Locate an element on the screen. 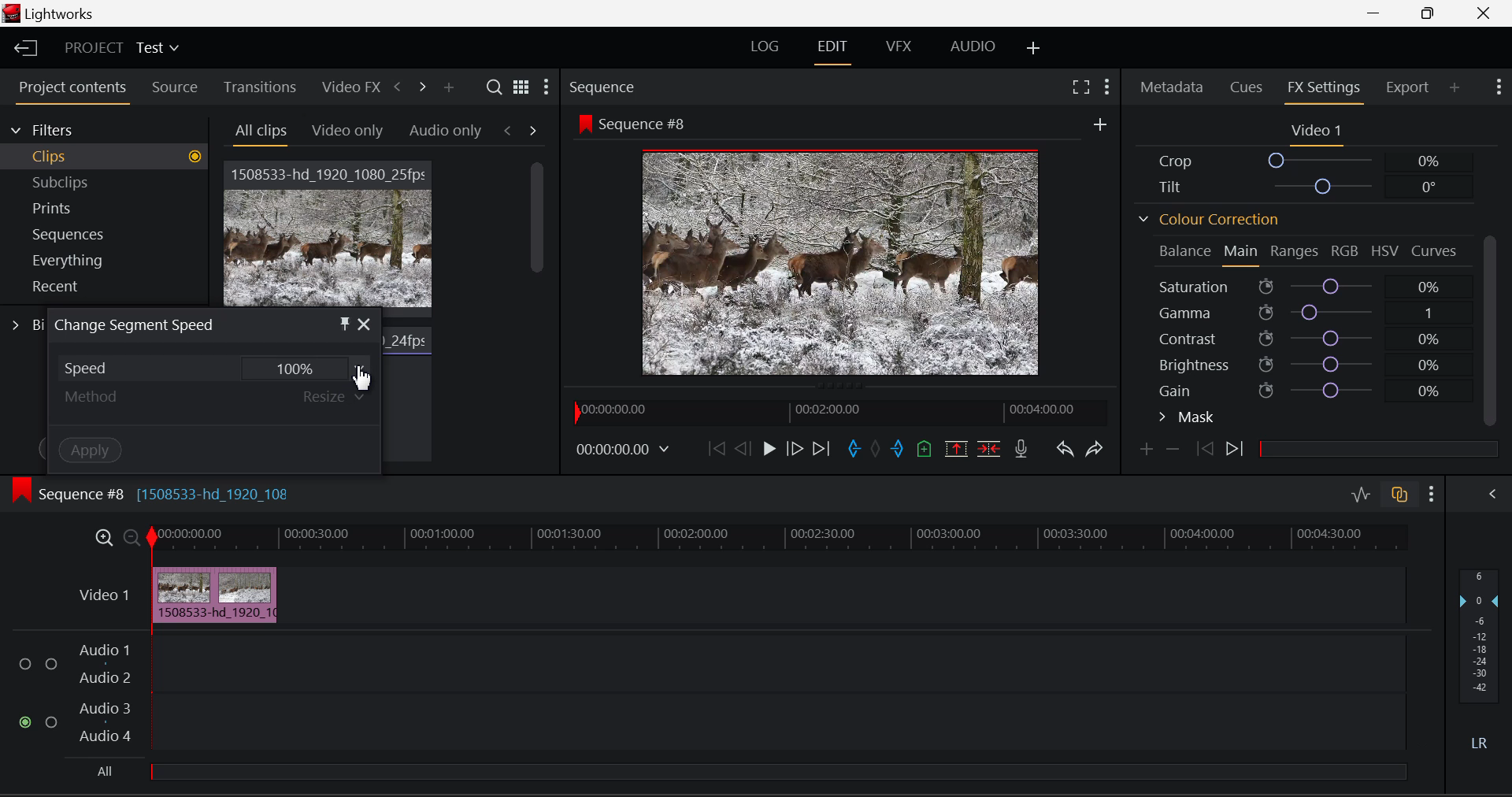 This screenshot has width=1512, height=797. Restore Down is located at coordinates (1376, 13).